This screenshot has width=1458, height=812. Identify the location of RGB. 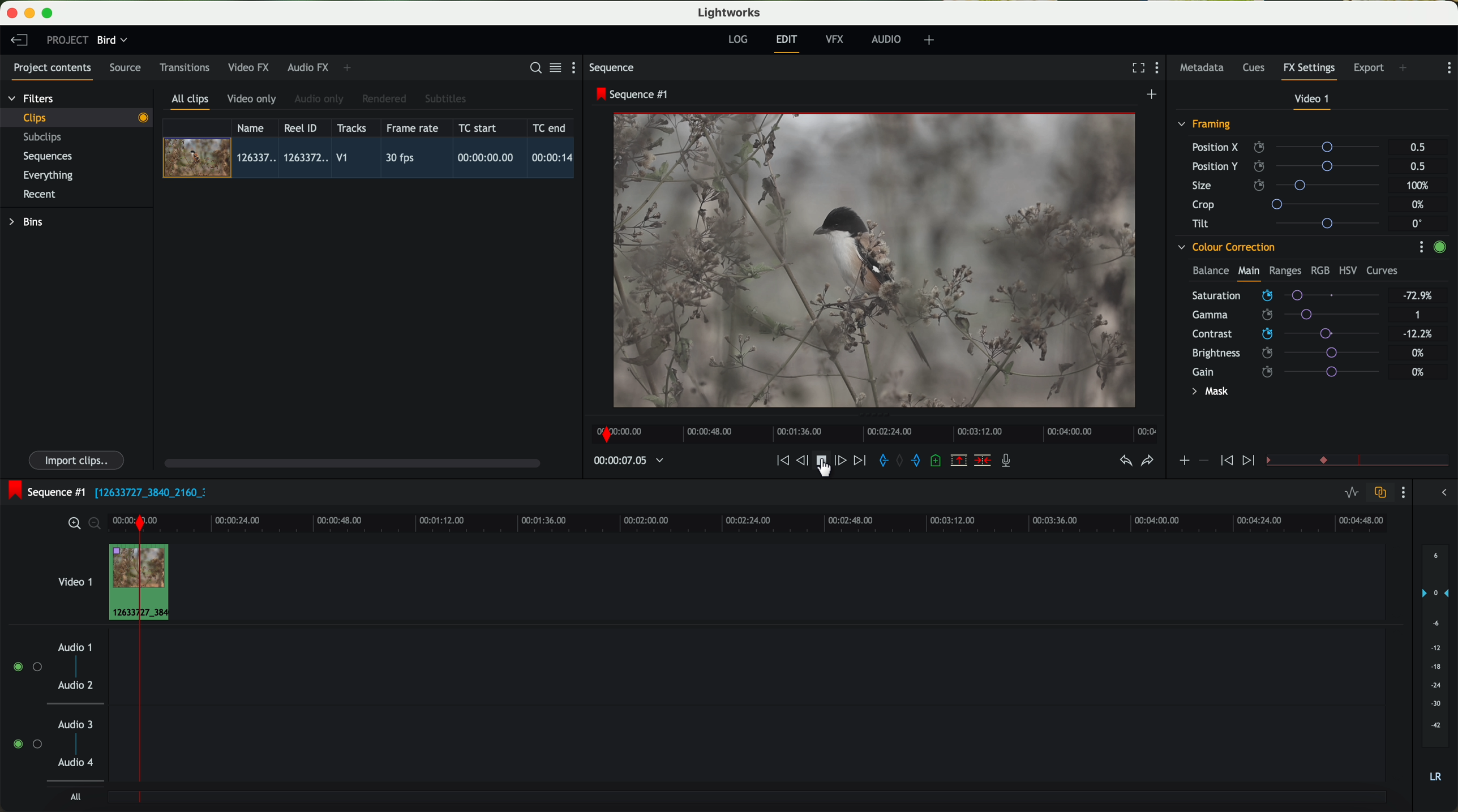
(1319, 269).